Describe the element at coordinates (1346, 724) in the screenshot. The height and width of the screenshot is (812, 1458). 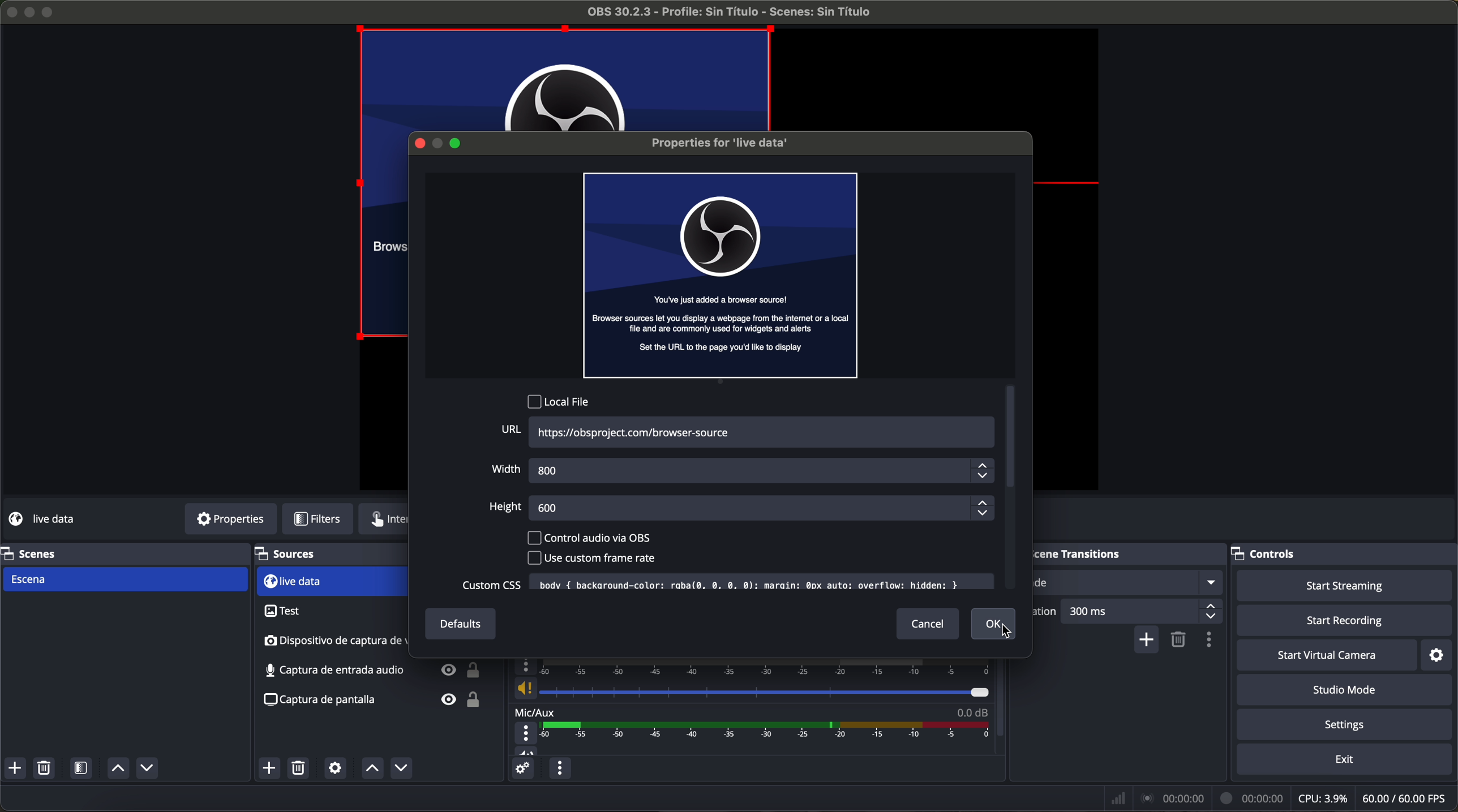
I see `settings` at that location.